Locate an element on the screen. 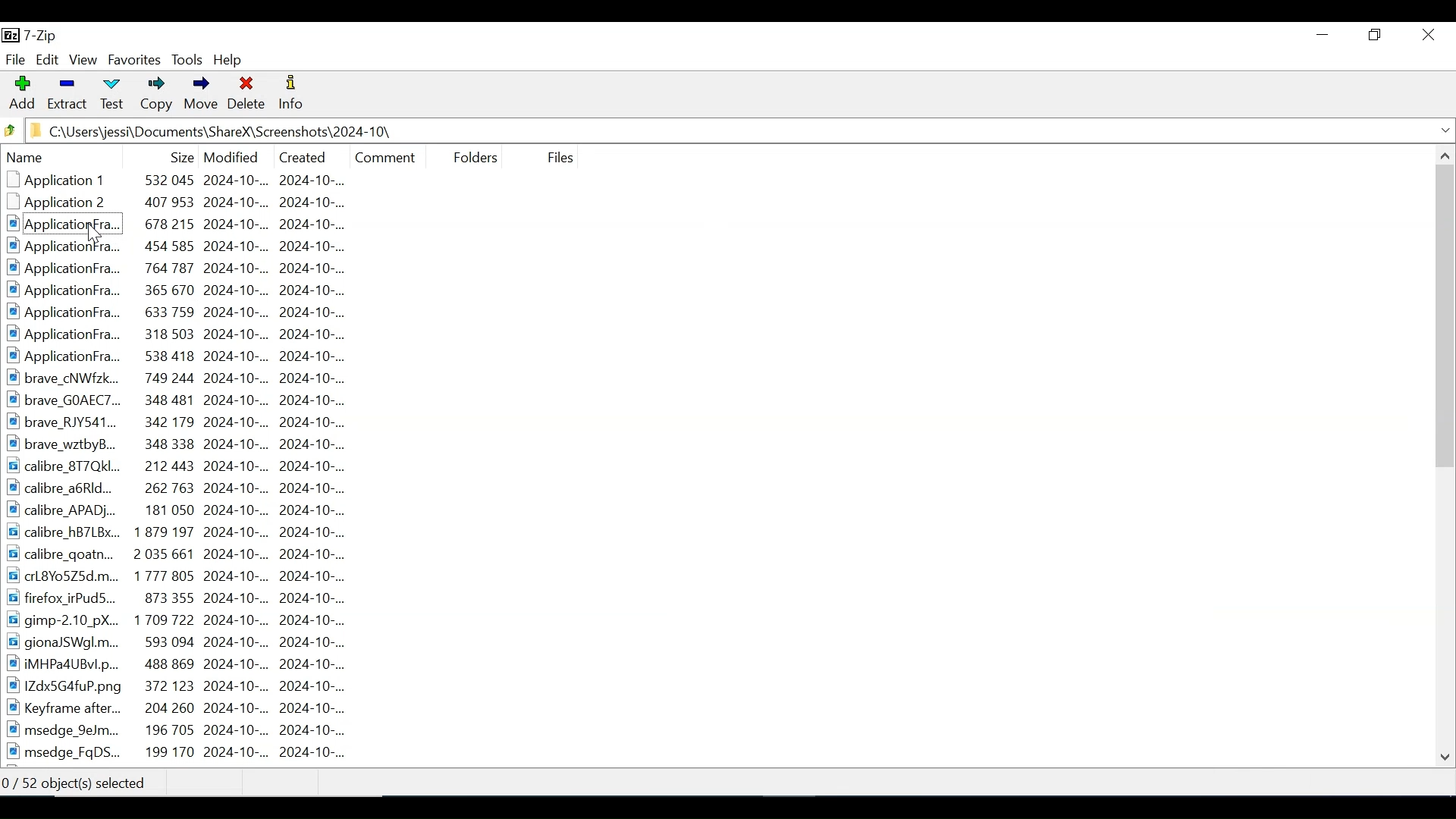 This screenshot has height=819, width=1456. calibre_APAD... 181 050 2024-10-.. 2024-10-... is located at coordinates (192, 512).